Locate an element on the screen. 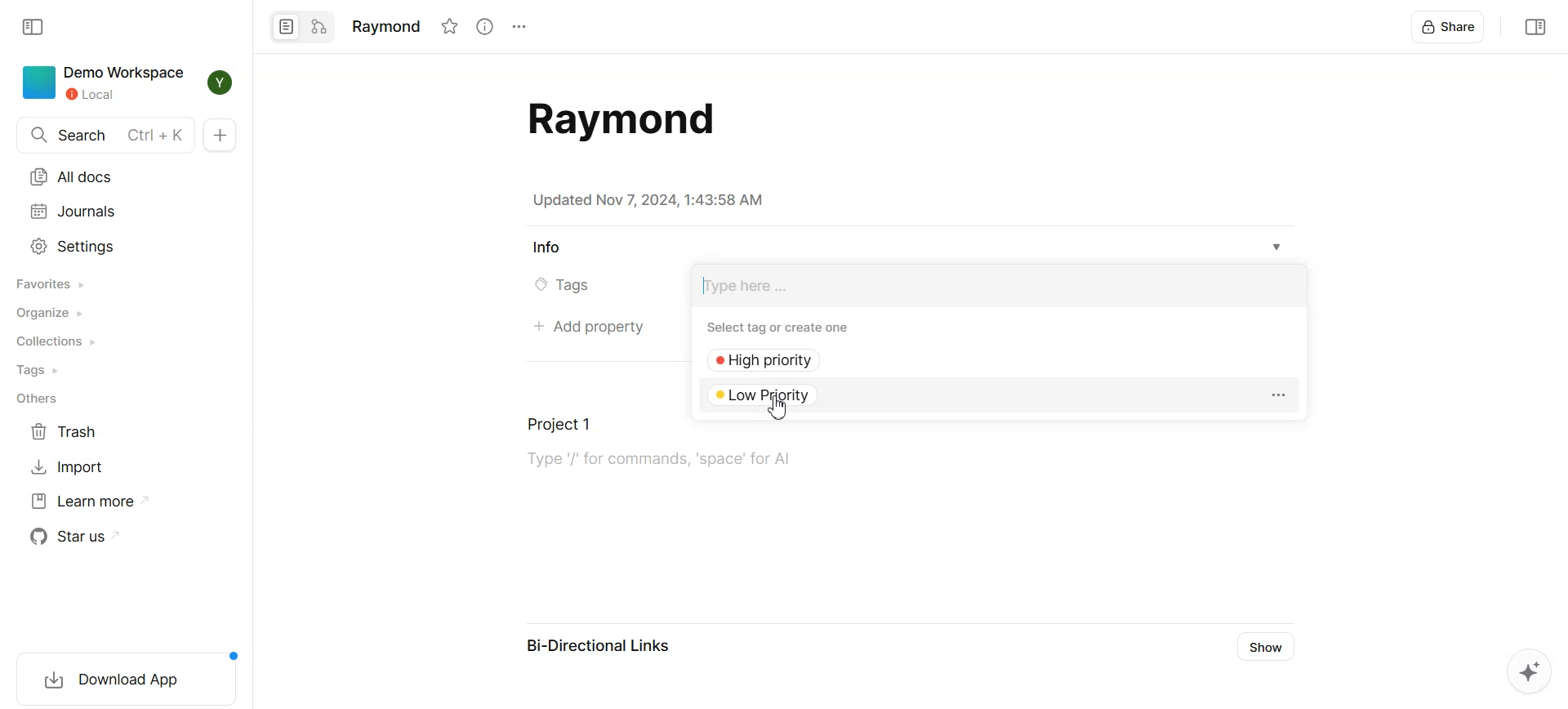 Image resolution: width=1568 pixels, height=709 pixels. Organize is located at coordinates (53, 313).